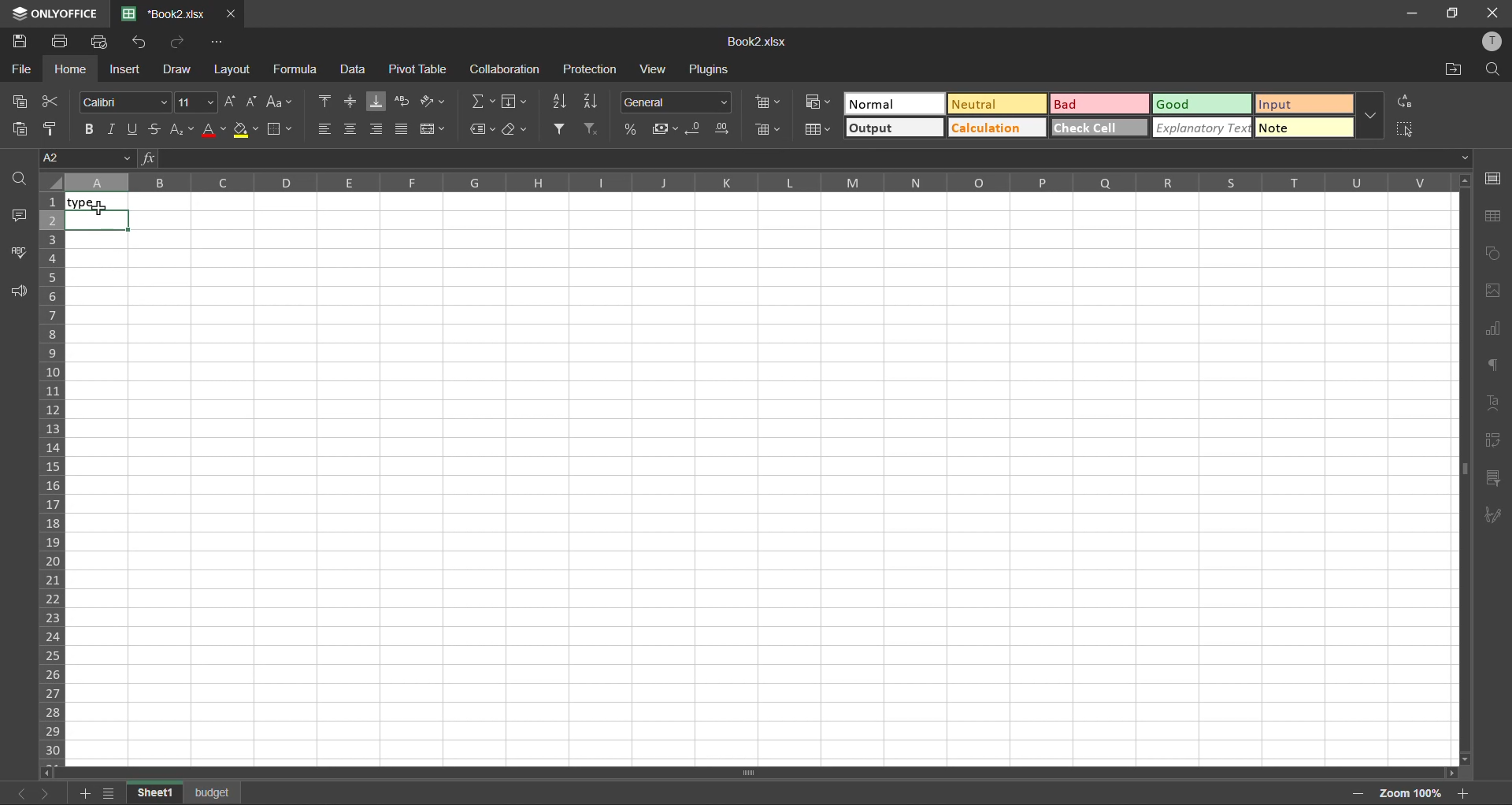 This screenshot has height=805, width=1512. What do you see at coordinates (435, 128) in the screenshot?
I see `merge and center` at bounding box center [435, 128].